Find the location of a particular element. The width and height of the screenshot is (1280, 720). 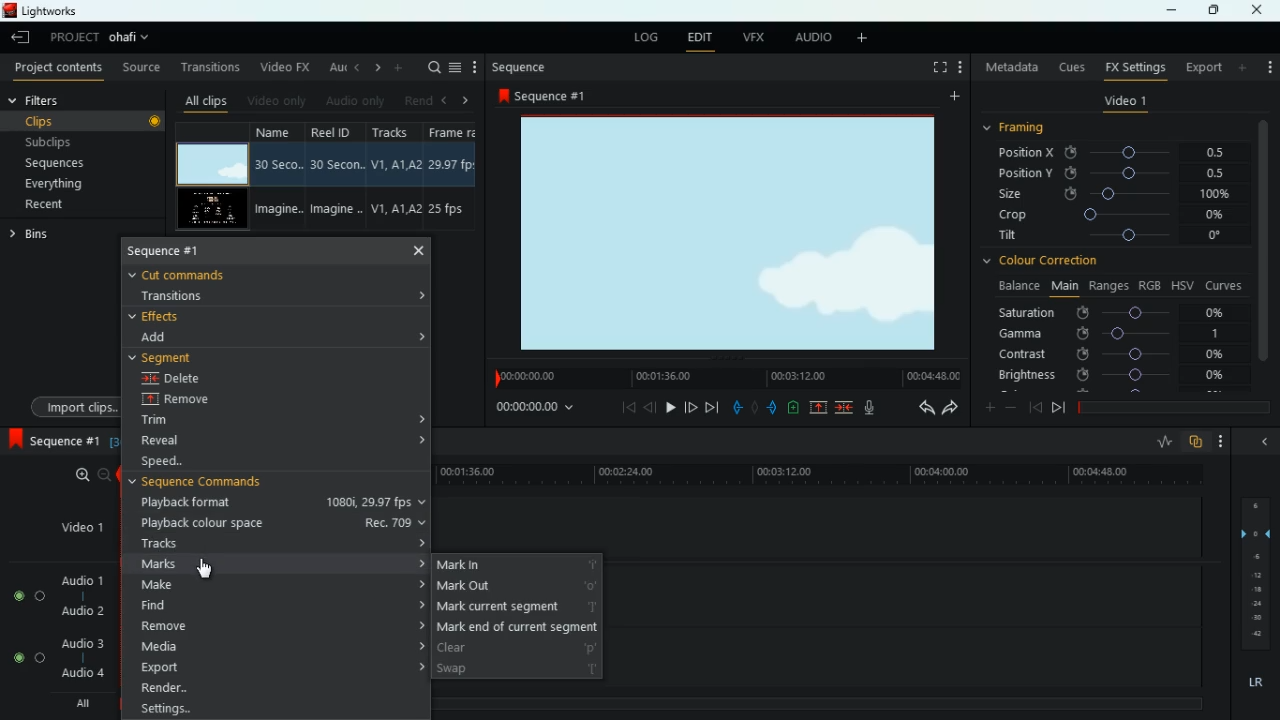

video 1 is located at coordinates (79, 526).